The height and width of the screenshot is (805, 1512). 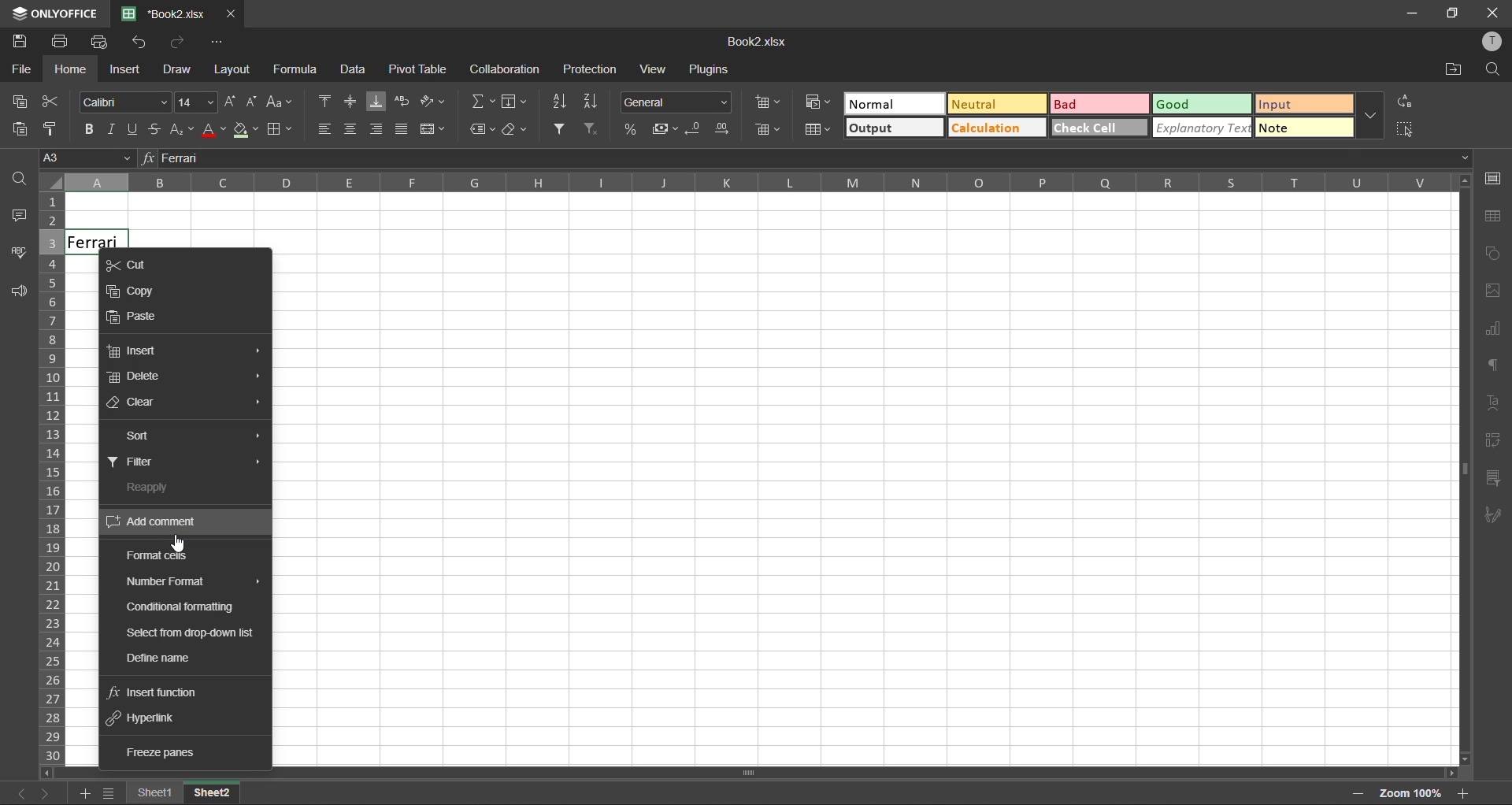 I want to click on reapply, so click(x=151, y=488).